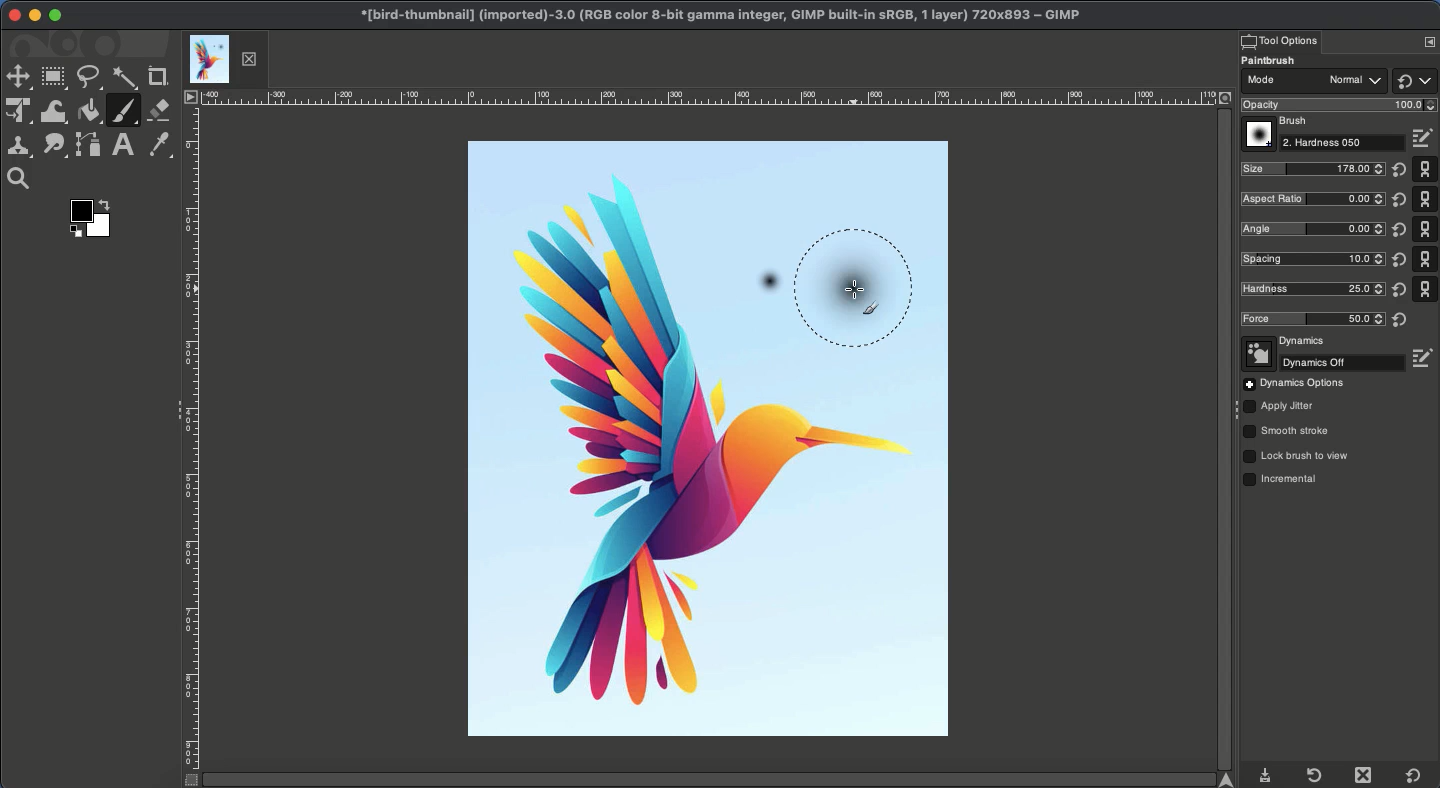 The image size is (1440, 788). Describe the element at coordinates (23, 179) in the screenshot. I see `Magnify` at that location.